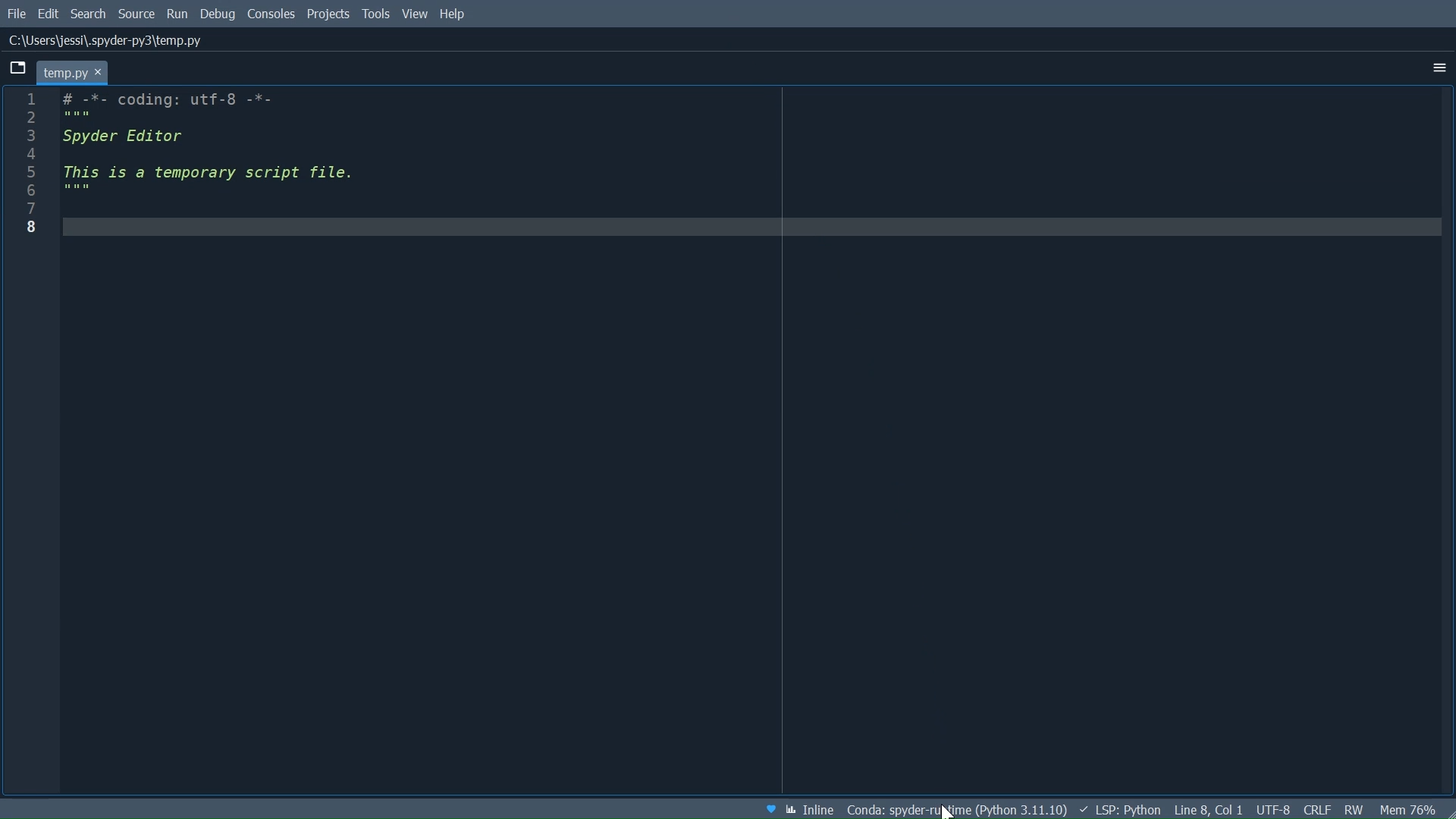 The width and height of the screenshot is (1456, 819). What do you see at coordinates (456, 13) in the screenshot?
I see `Help` at bounding box center [456, 13].